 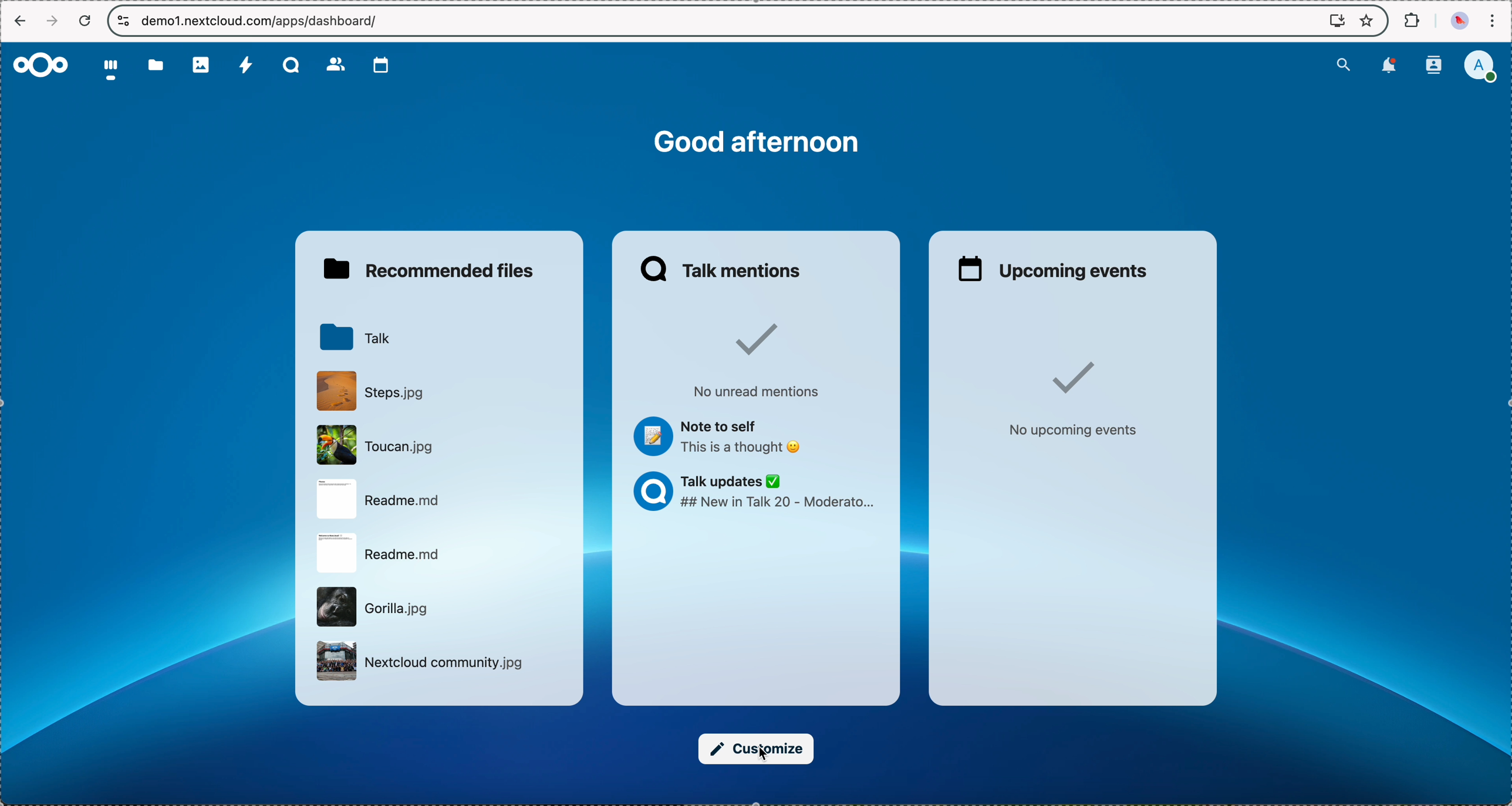 What do you see at coordinates (1435, 66) in the screenshot?
I see `contacts` at bounding box center [1435, 66].